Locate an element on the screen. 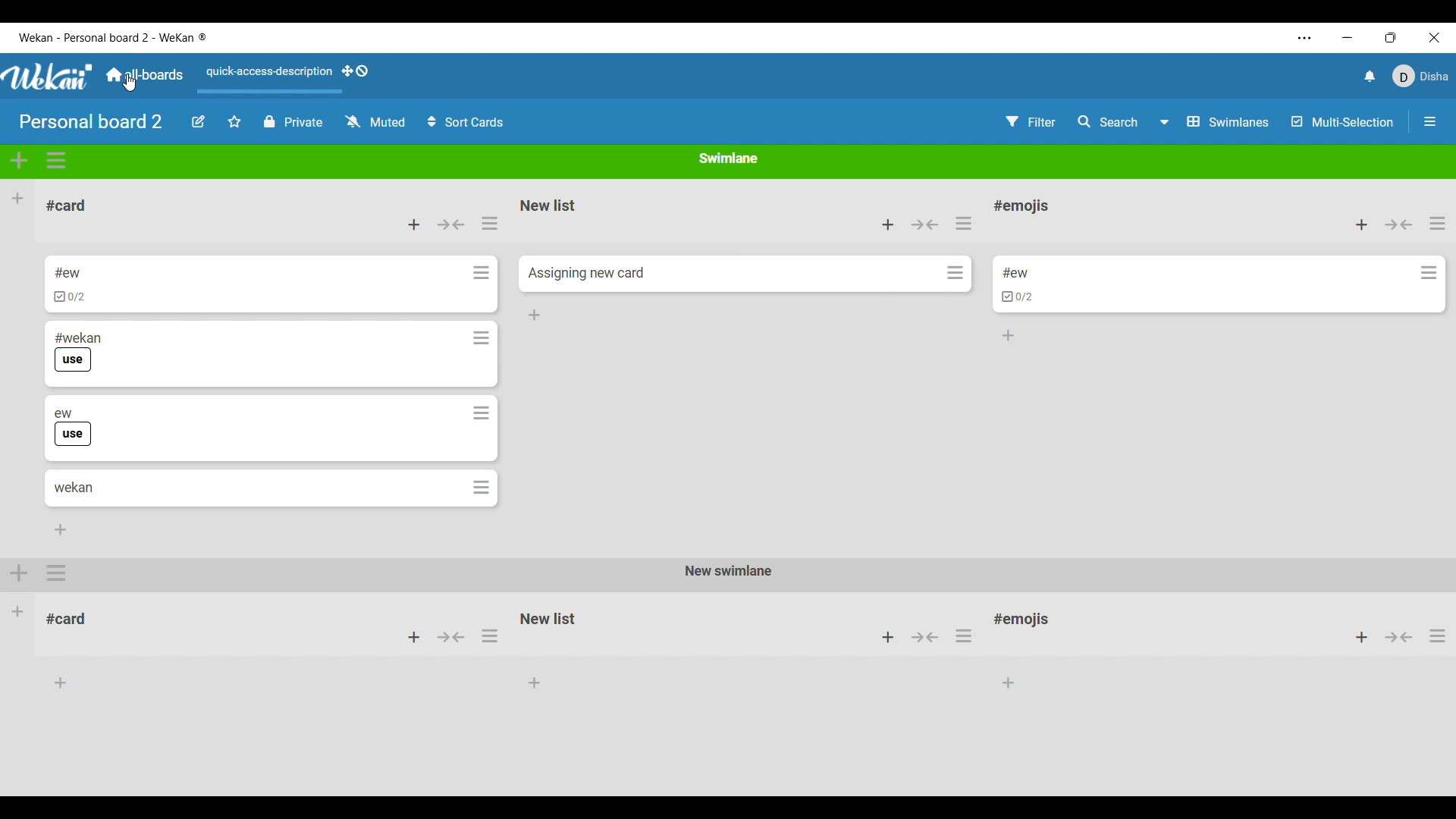 The height and width of the screenshot is (819, 1456). add is located at coordinates (1360, 639).